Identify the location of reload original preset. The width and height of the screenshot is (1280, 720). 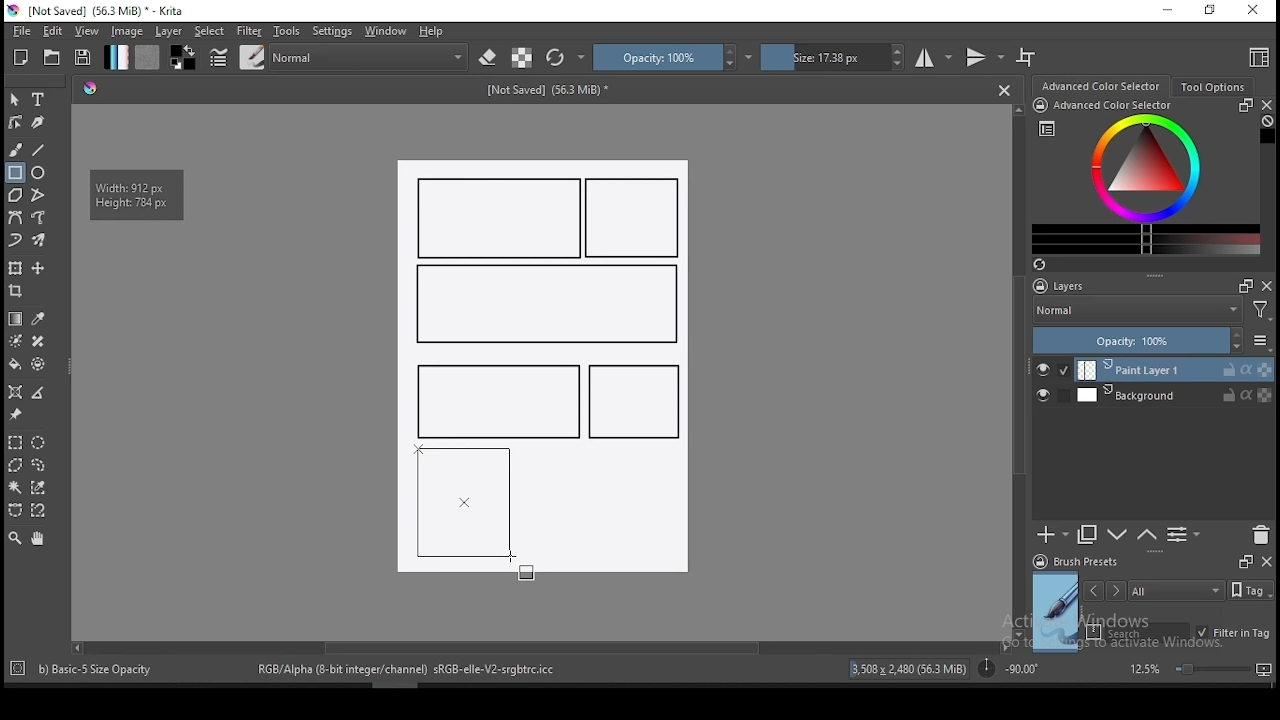
(566, 57).